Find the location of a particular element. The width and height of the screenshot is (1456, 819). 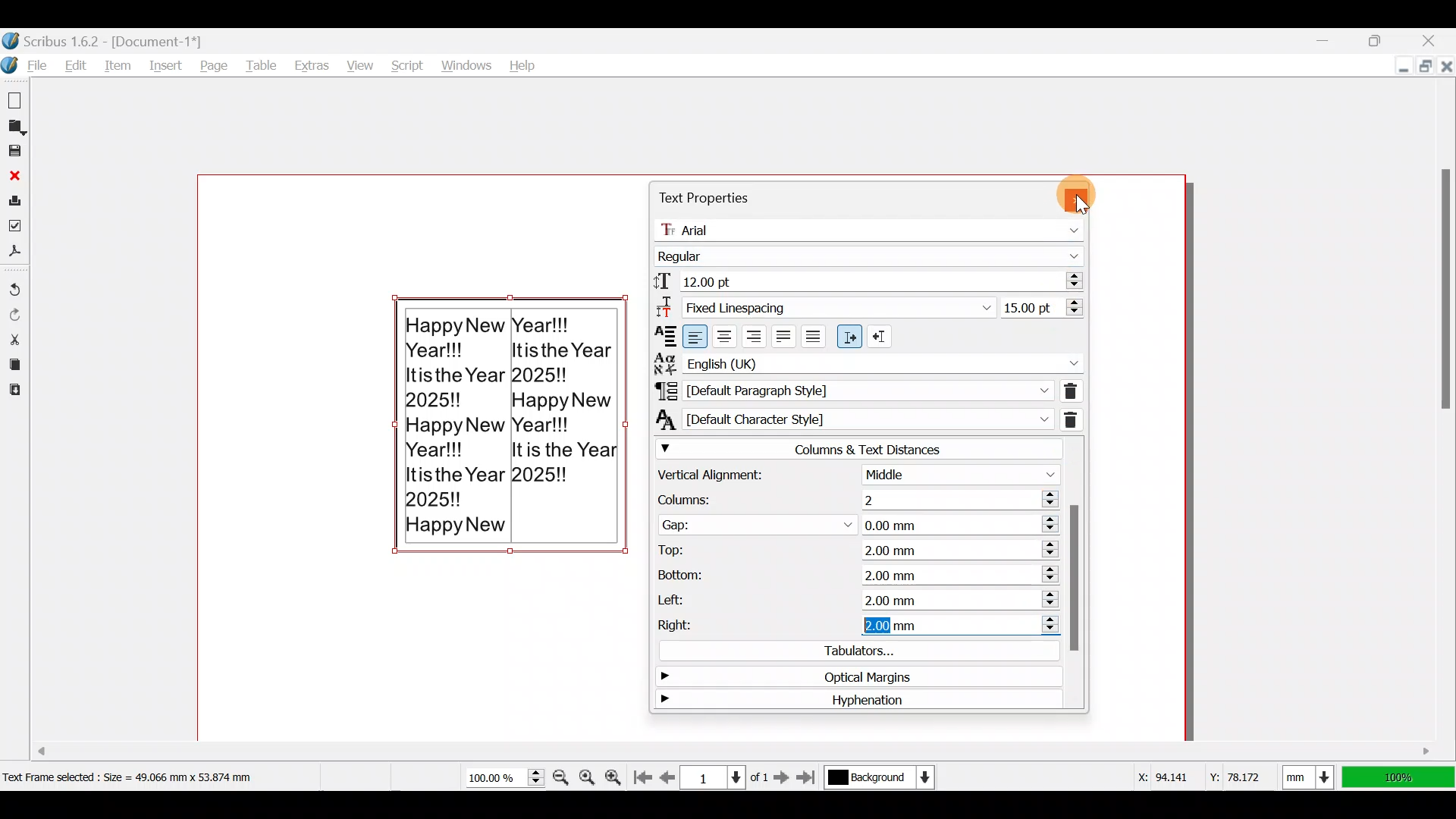

Redo is located at coordinates (15, 313).